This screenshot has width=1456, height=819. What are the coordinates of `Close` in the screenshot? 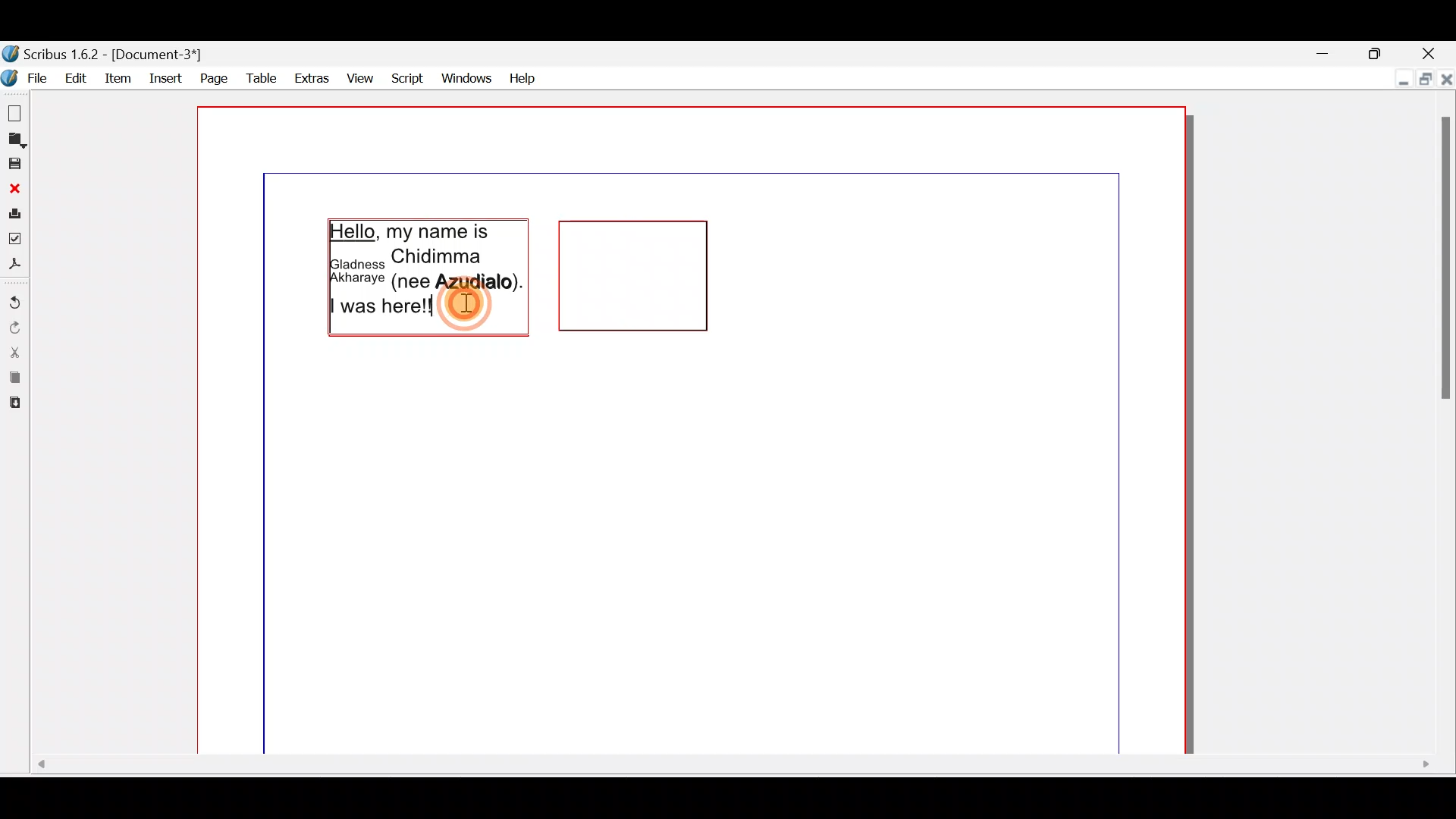 It's located at (1446, 76).